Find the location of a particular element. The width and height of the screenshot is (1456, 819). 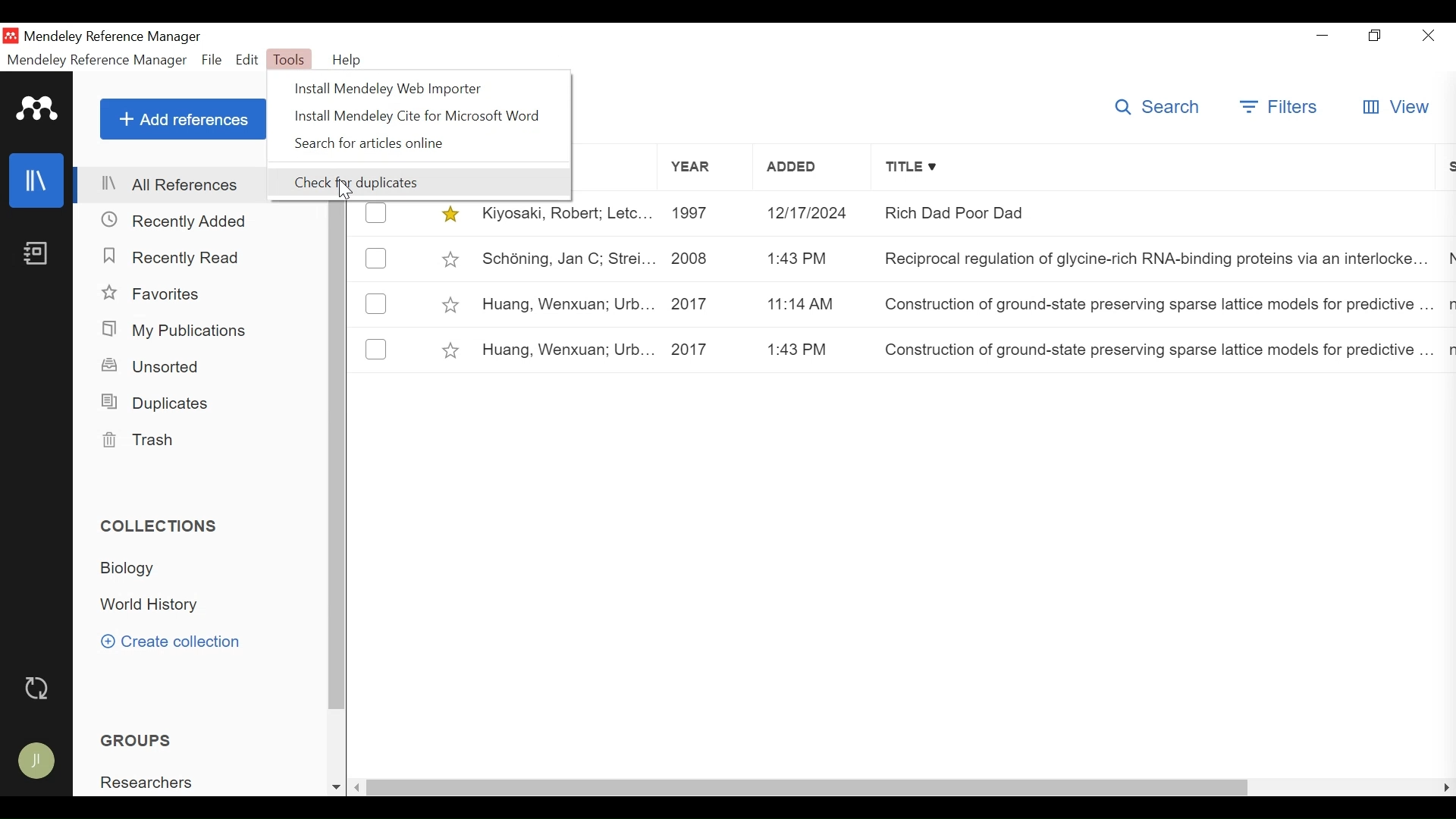

Help is located at coordinates (349, 61).